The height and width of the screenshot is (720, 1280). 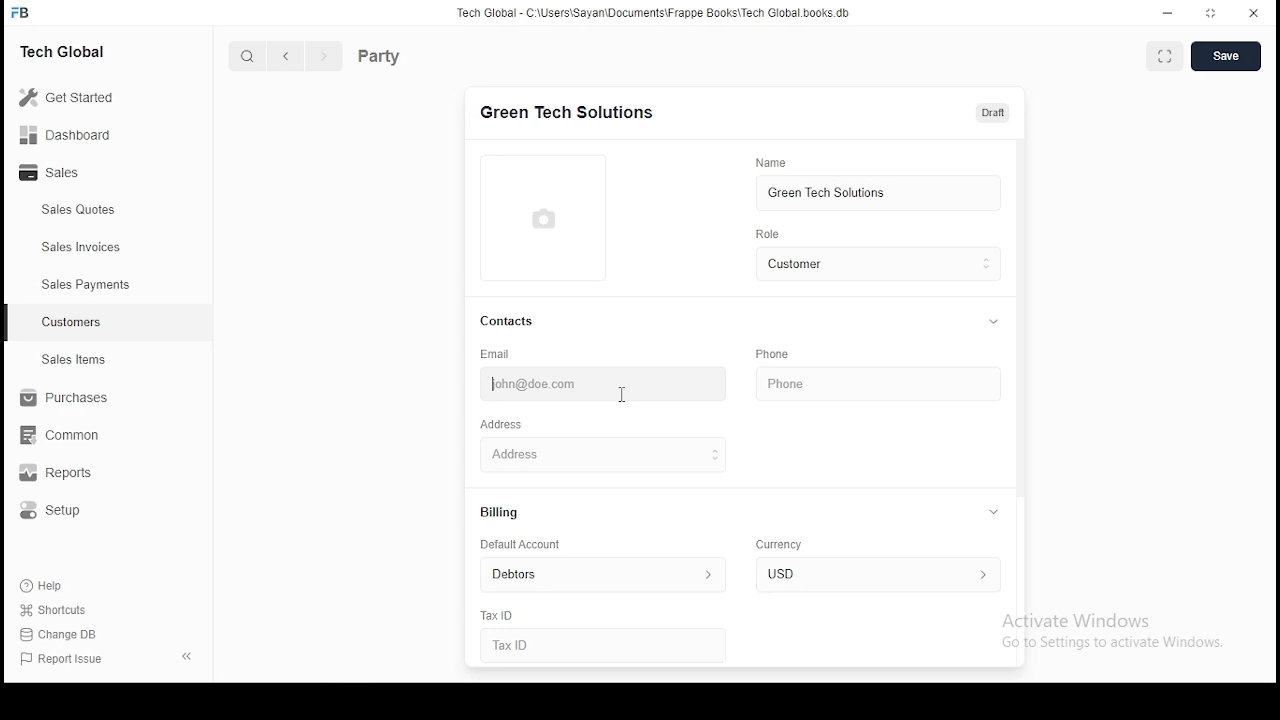 What do you see at coordinates (54, 174) in the screenshot?
I see `sales` at bounding box center [54, 174].